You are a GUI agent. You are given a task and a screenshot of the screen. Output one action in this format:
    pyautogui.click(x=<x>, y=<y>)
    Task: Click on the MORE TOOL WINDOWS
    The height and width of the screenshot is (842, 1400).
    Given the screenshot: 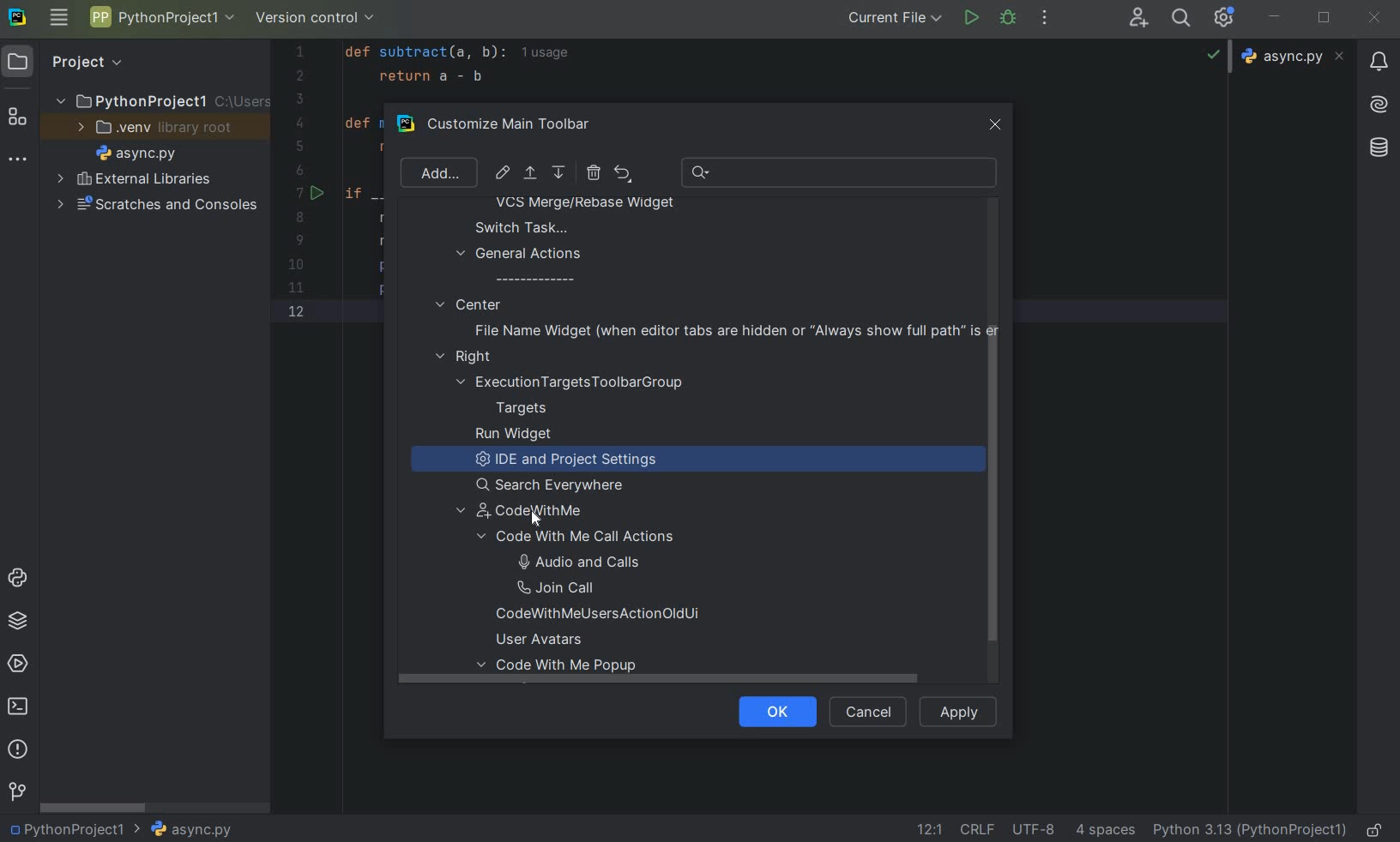 What is the action you would take?
    pyautogui.click(x=18, y=160)
    